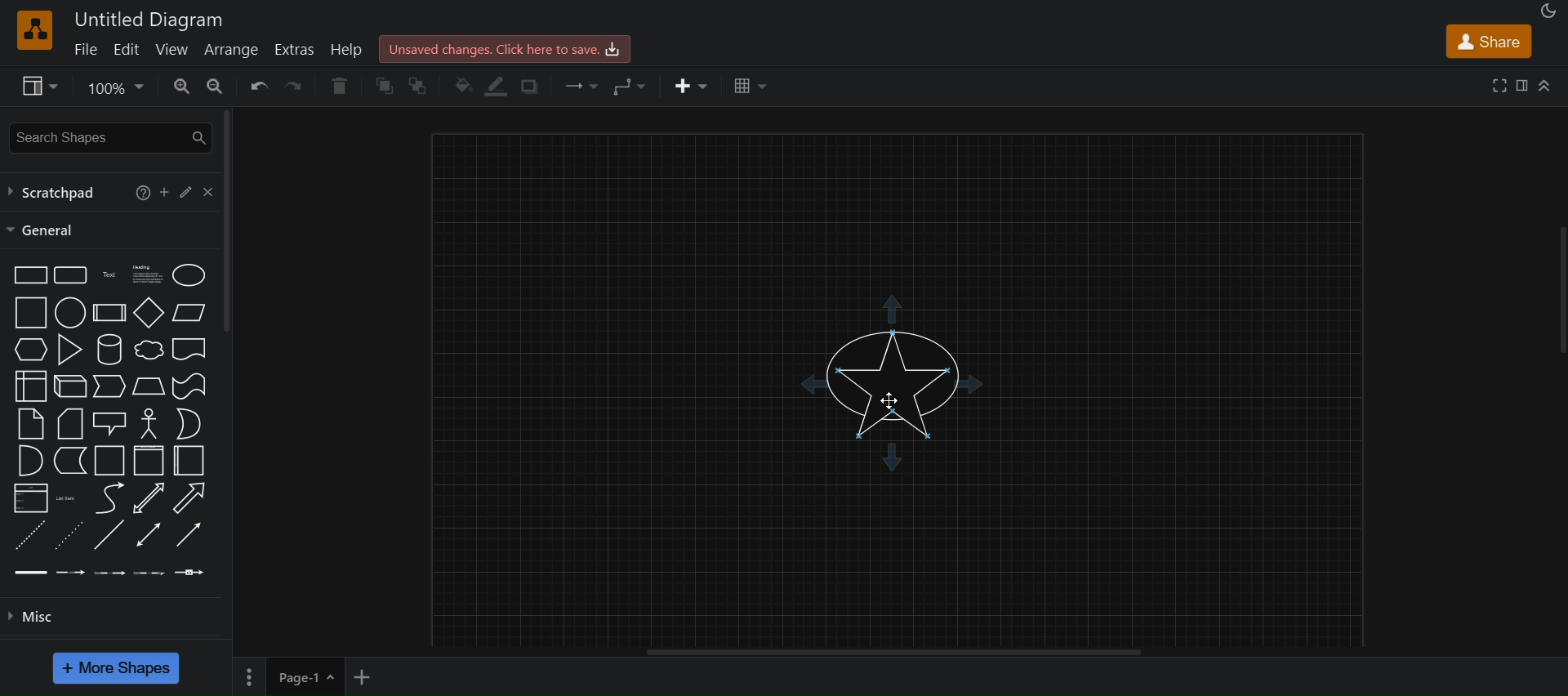  What do you see at coordinates (148, 534) in the screenshot?
I see `bidirectional linr` at bounding box center [148, 534].